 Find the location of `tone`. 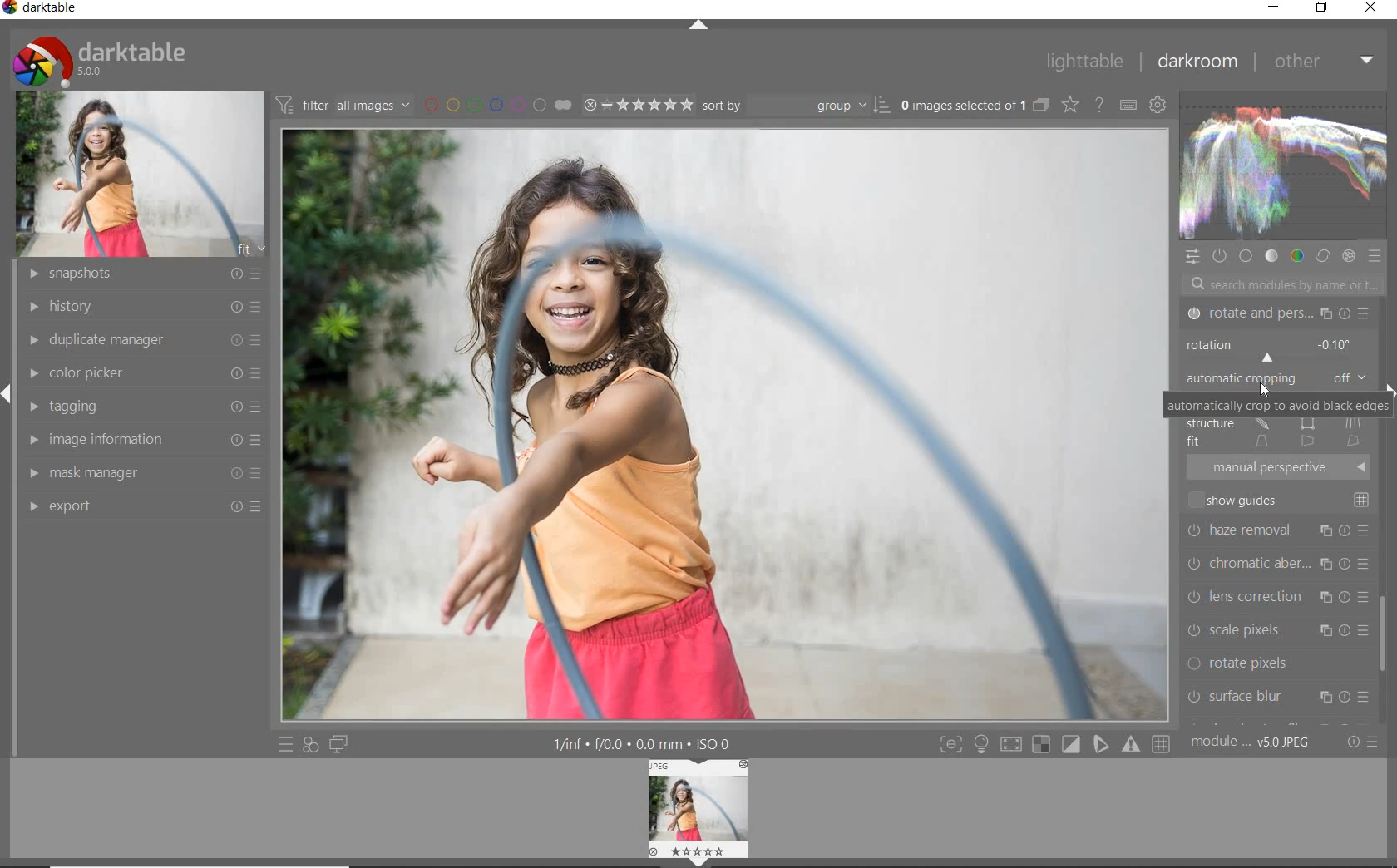

tone is located at coordinates (1271, 256).